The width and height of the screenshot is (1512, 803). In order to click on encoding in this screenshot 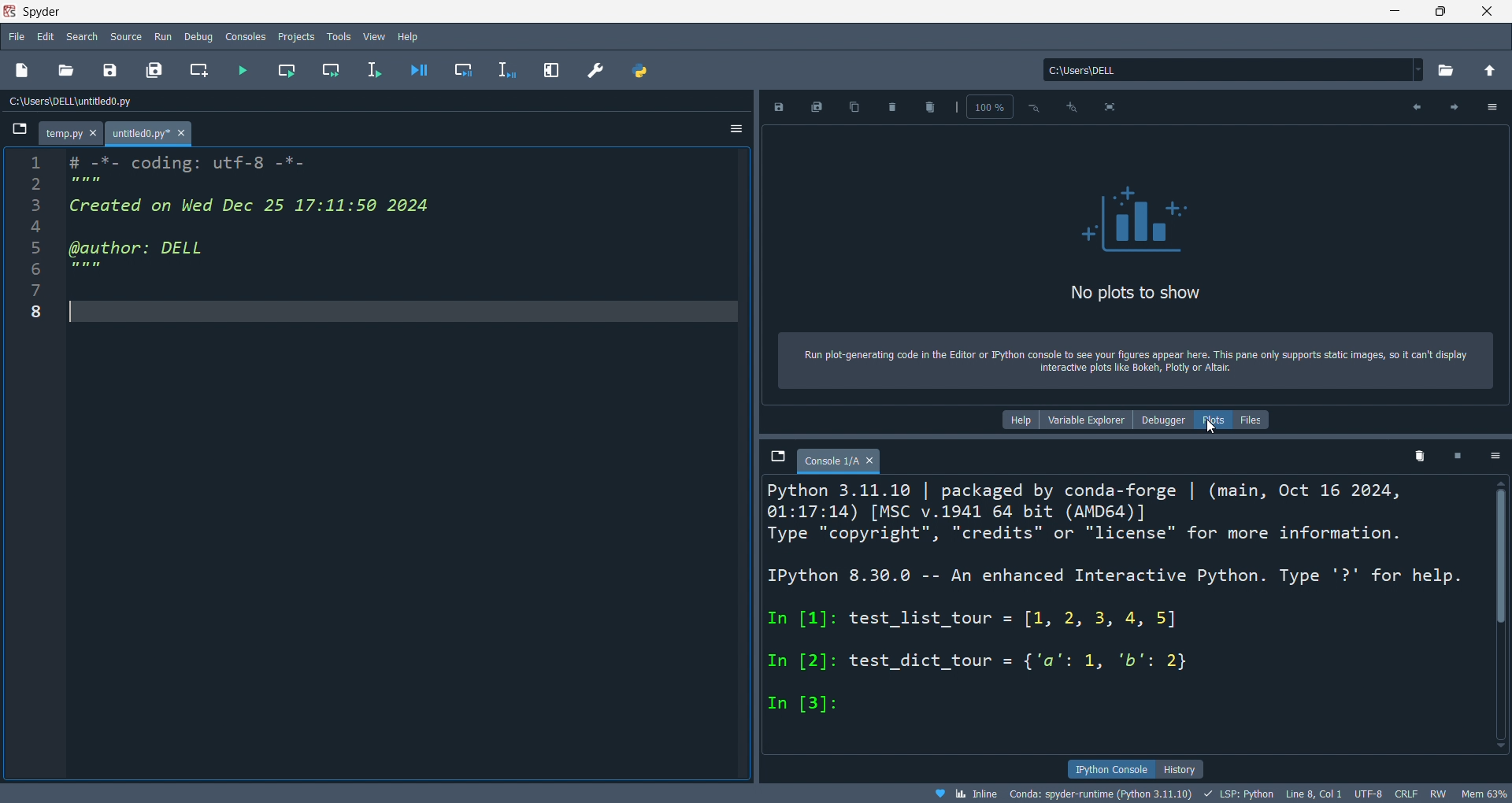, I will do `click(1366, 792)`.